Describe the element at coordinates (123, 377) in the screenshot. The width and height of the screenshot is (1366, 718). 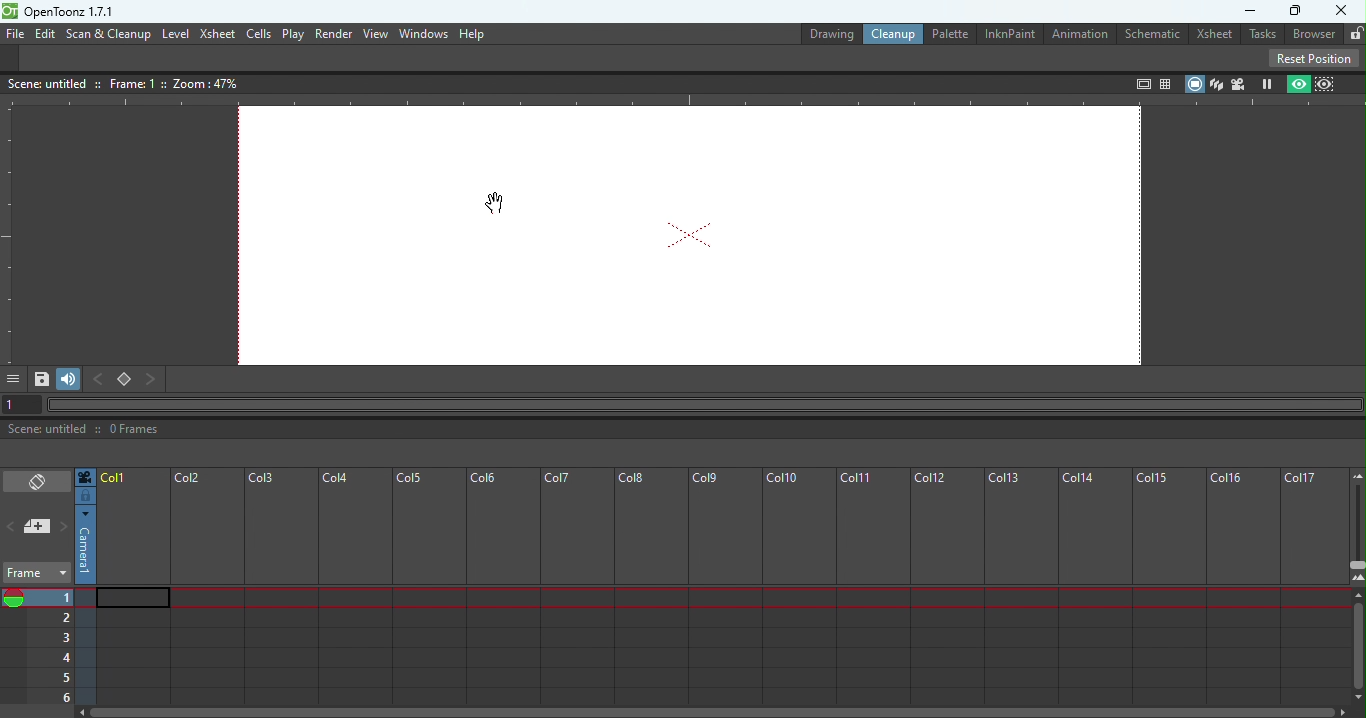
I see `Set key` at that location.